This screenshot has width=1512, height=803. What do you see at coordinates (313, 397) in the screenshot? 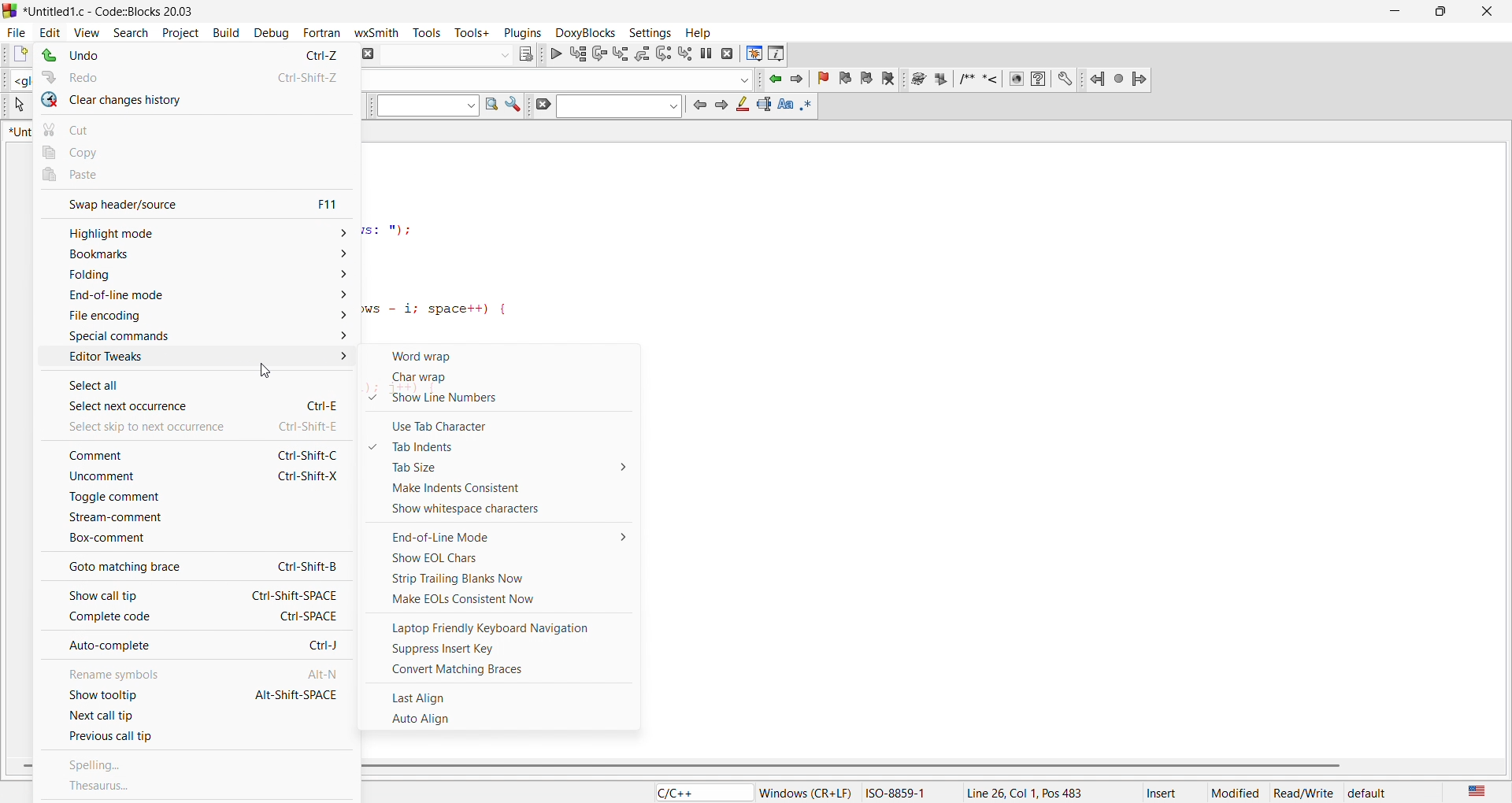
I see `Ctrl-E` at bounding box center [313, 397].